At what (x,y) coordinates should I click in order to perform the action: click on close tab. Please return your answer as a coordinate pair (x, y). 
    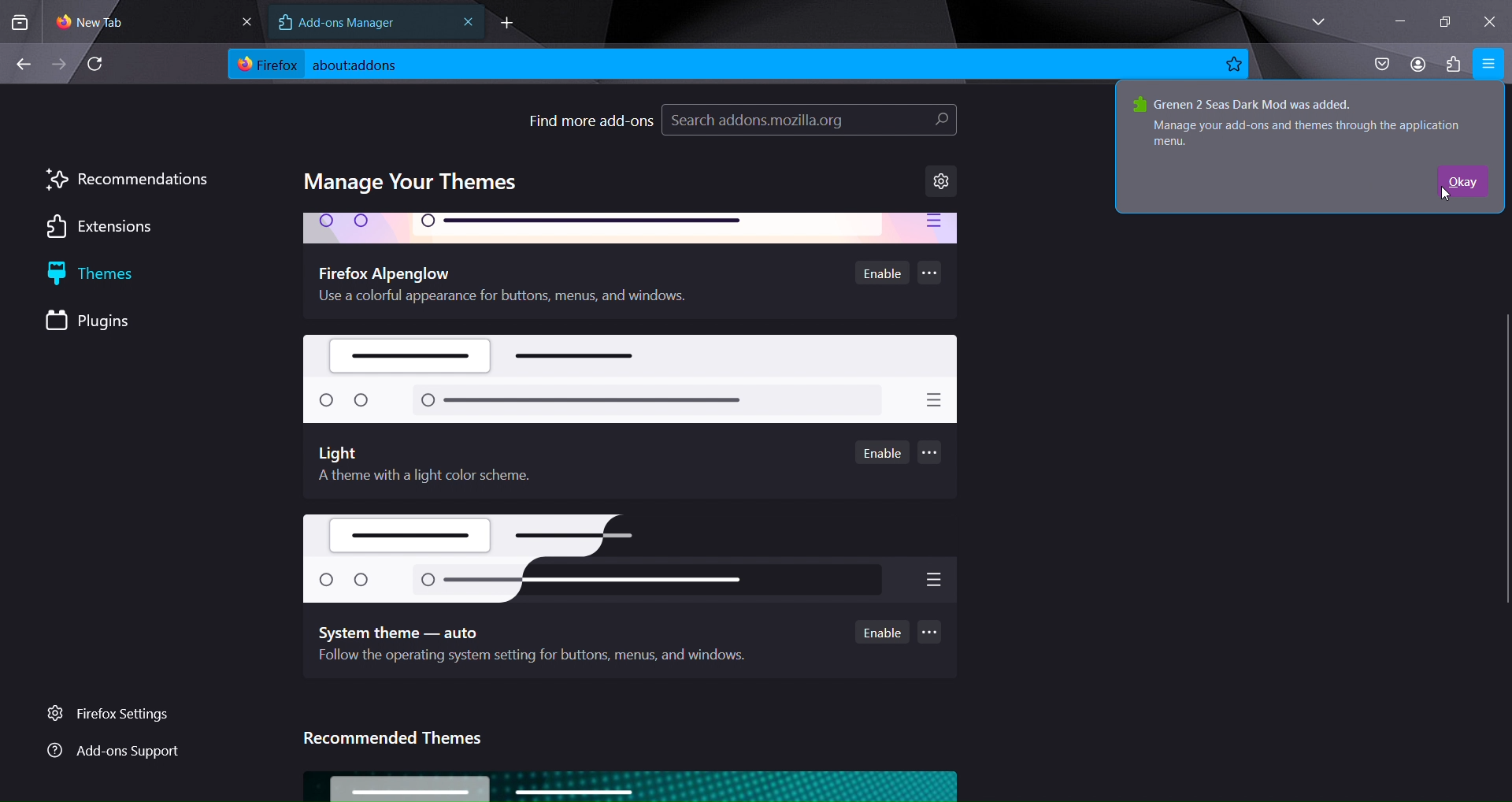
    Looking at the image, I should click on (469, 22).